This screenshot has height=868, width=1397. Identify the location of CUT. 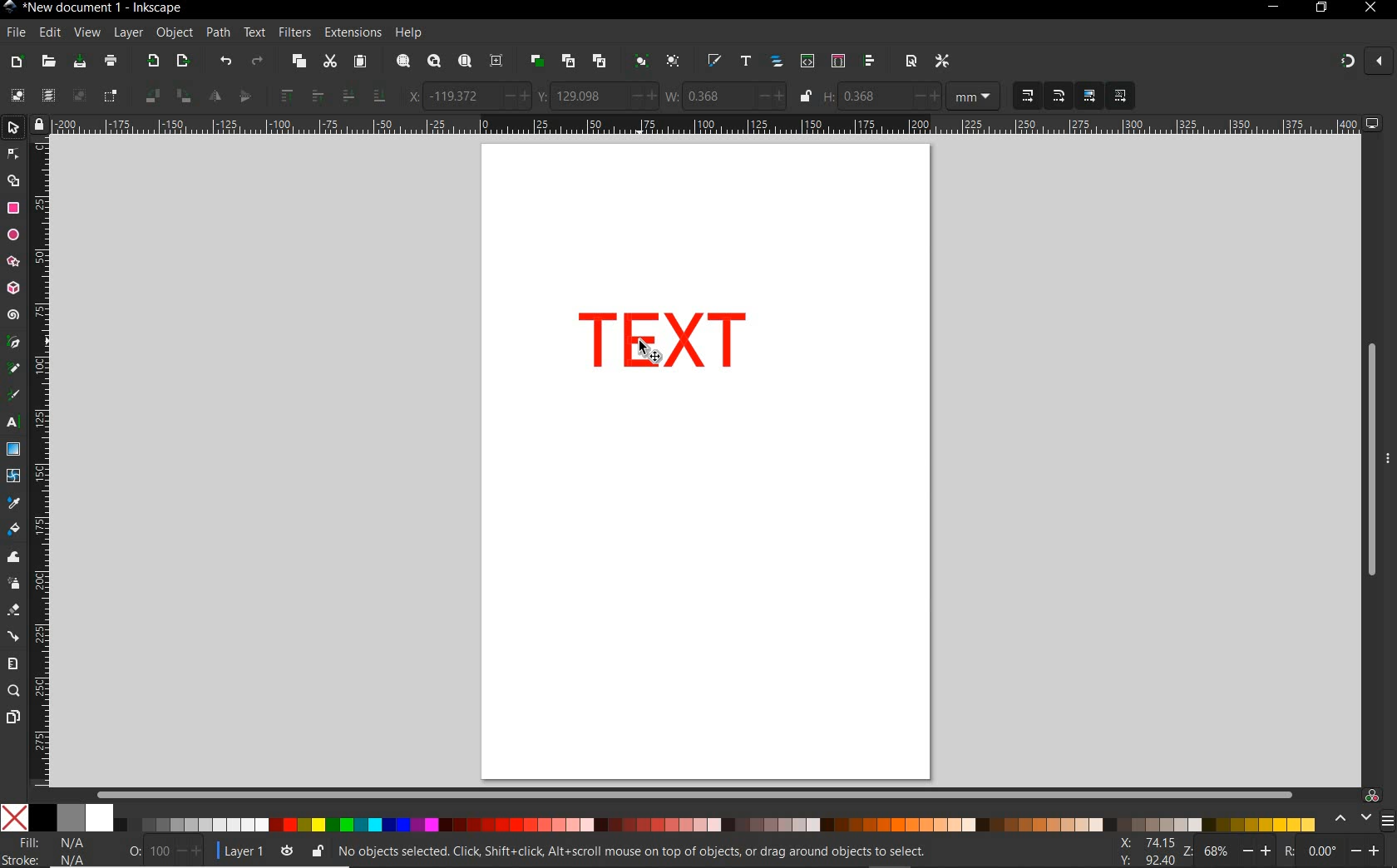
(329, 62).